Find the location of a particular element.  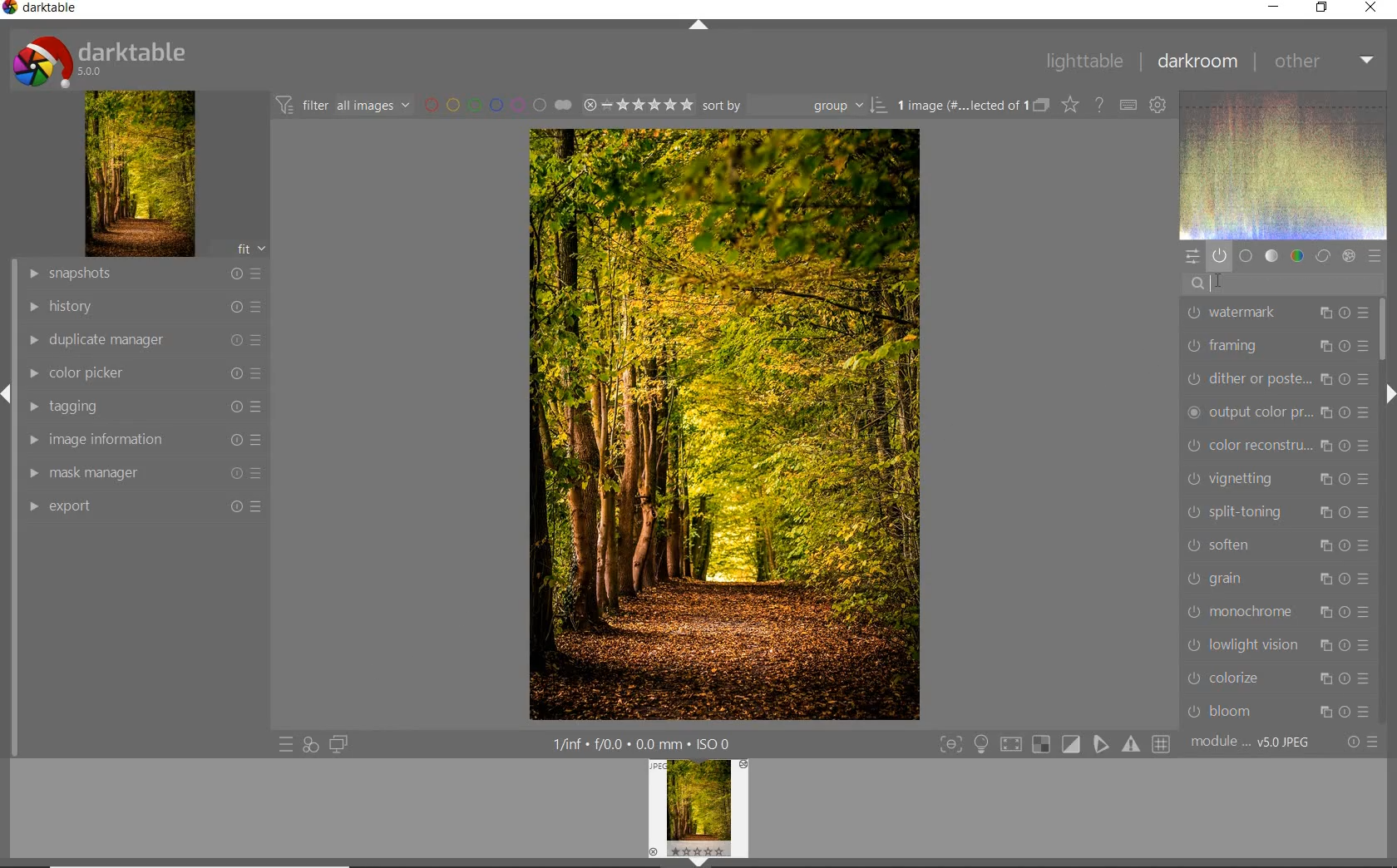

sort is located at coordinates (794, 106).